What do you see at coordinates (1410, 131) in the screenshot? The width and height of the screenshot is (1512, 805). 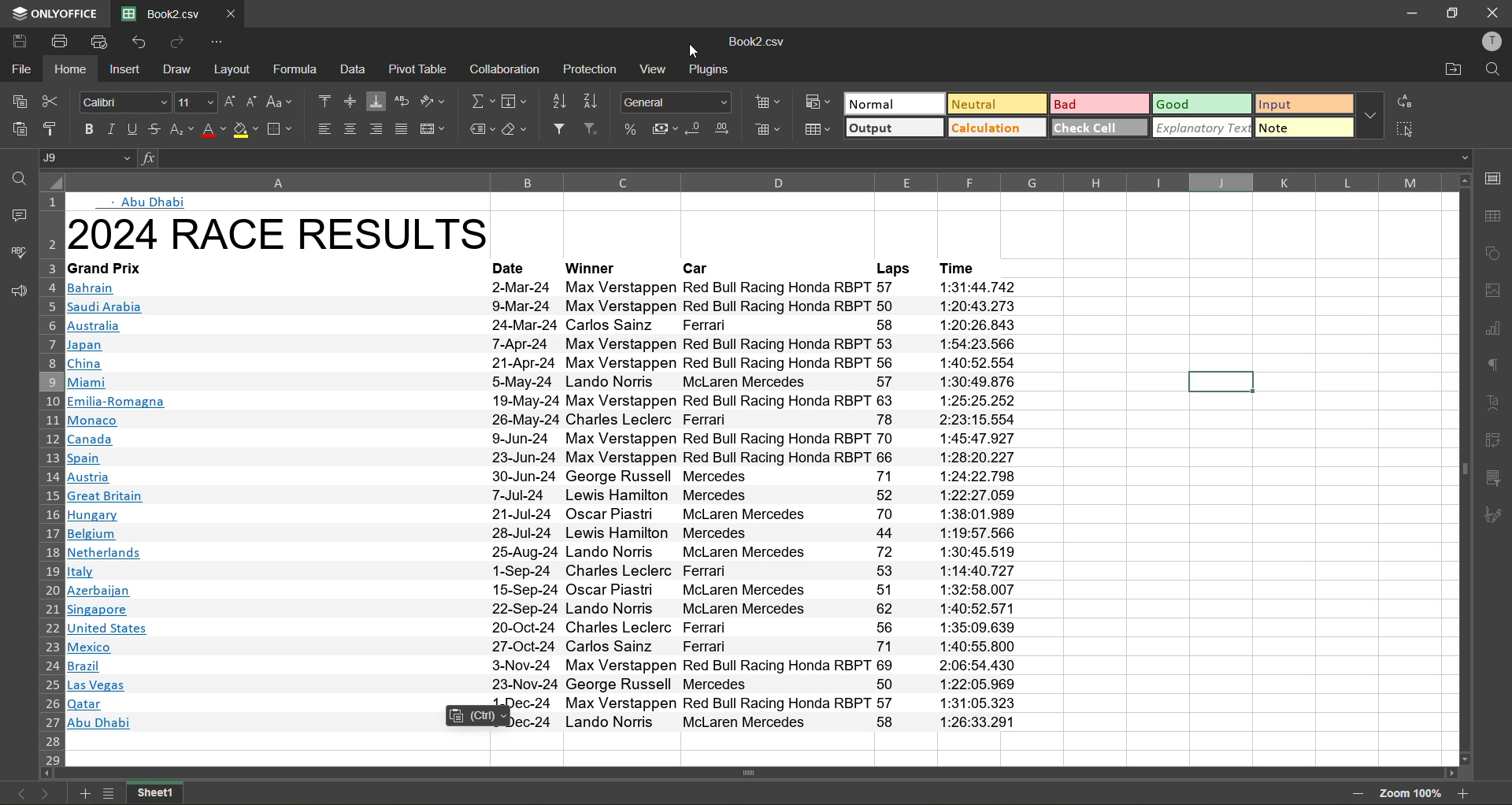 I see `select all` at bounding box center [1410, 131].